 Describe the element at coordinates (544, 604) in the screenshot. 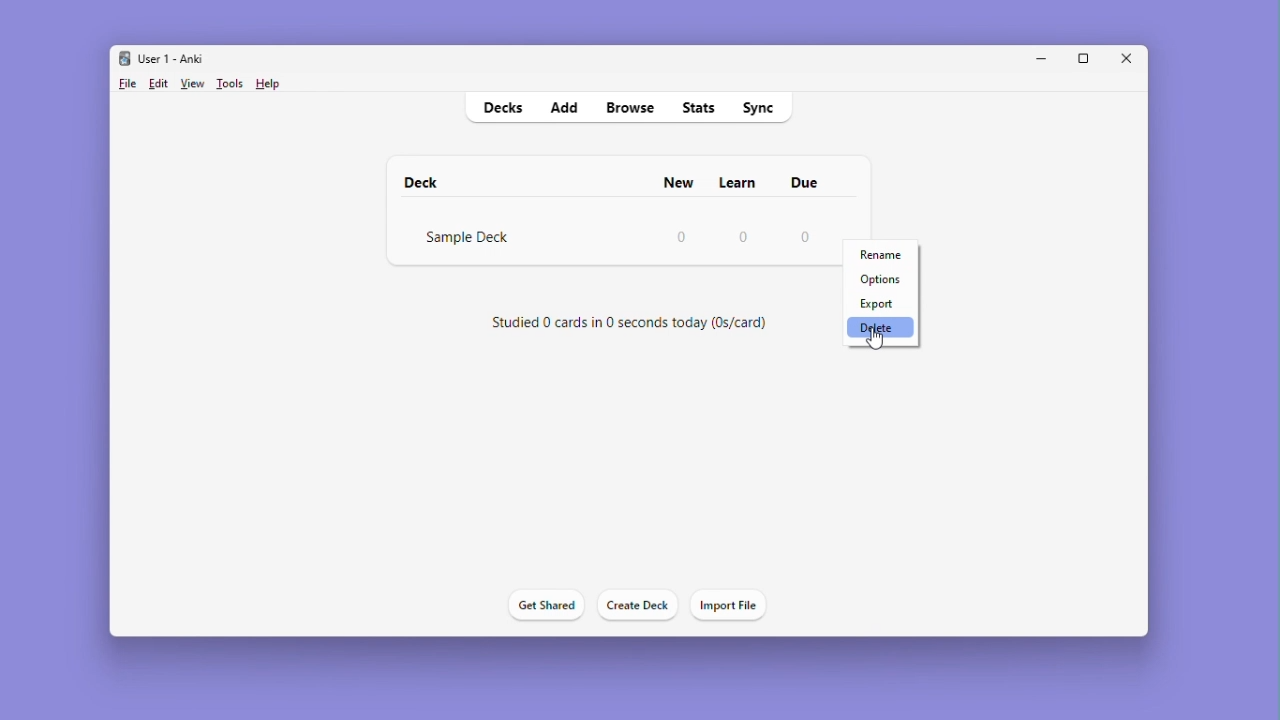

I see `Get shared` at that location.